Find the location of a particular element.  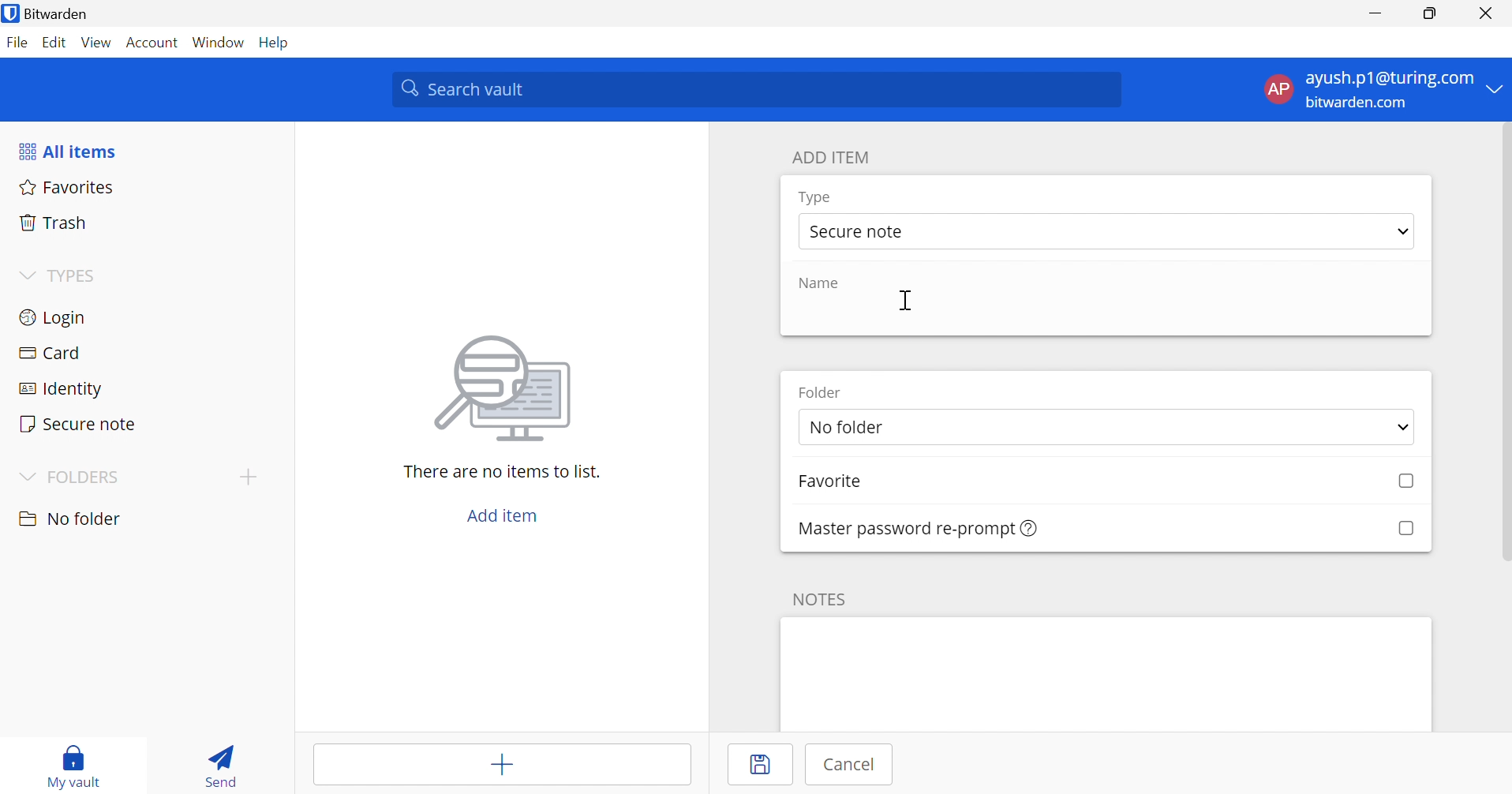

FOLDERS is located at coordinates (89, 477).